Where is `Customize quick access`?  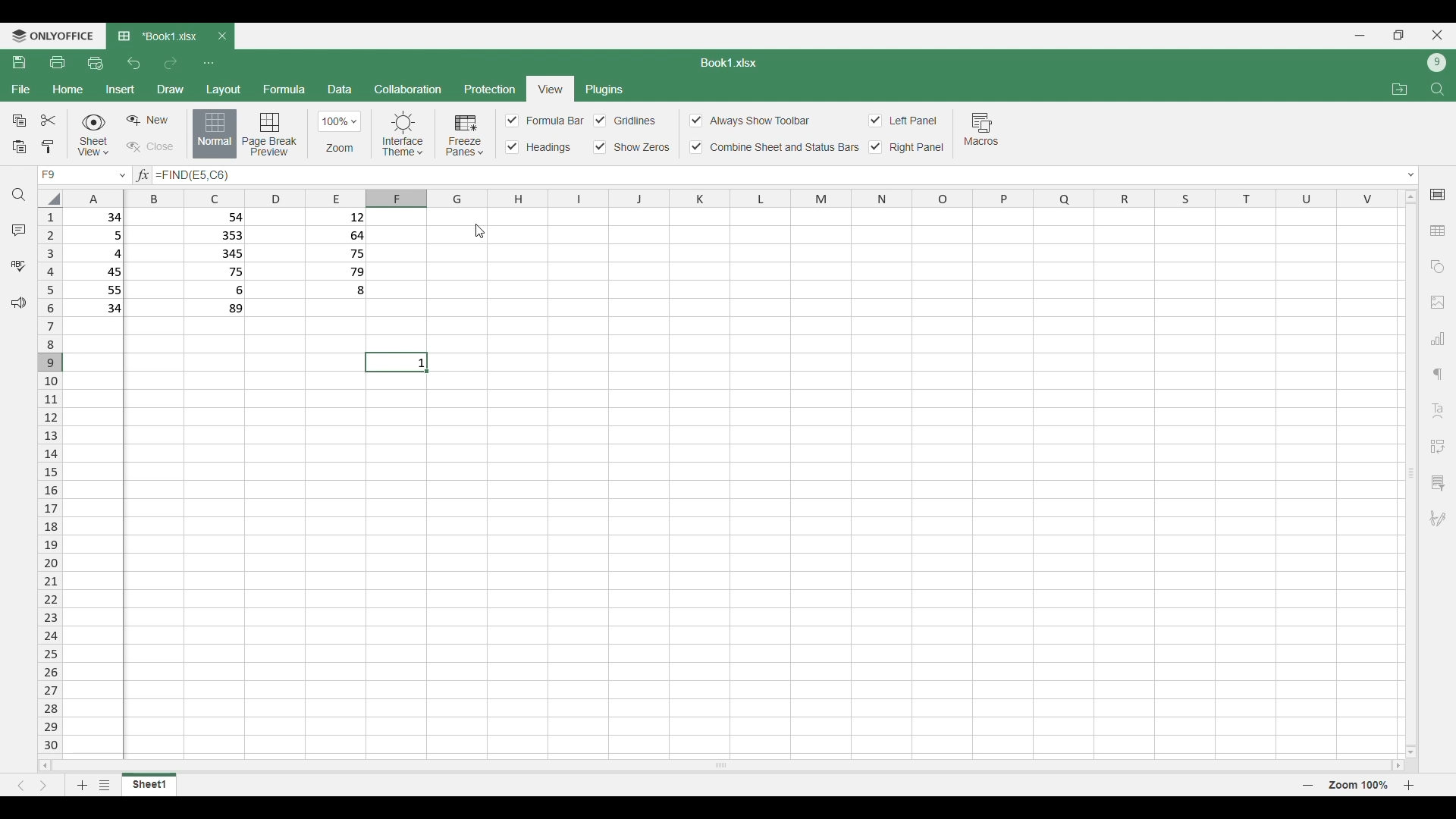
Customize quick access is located at coordinates (209, 64).